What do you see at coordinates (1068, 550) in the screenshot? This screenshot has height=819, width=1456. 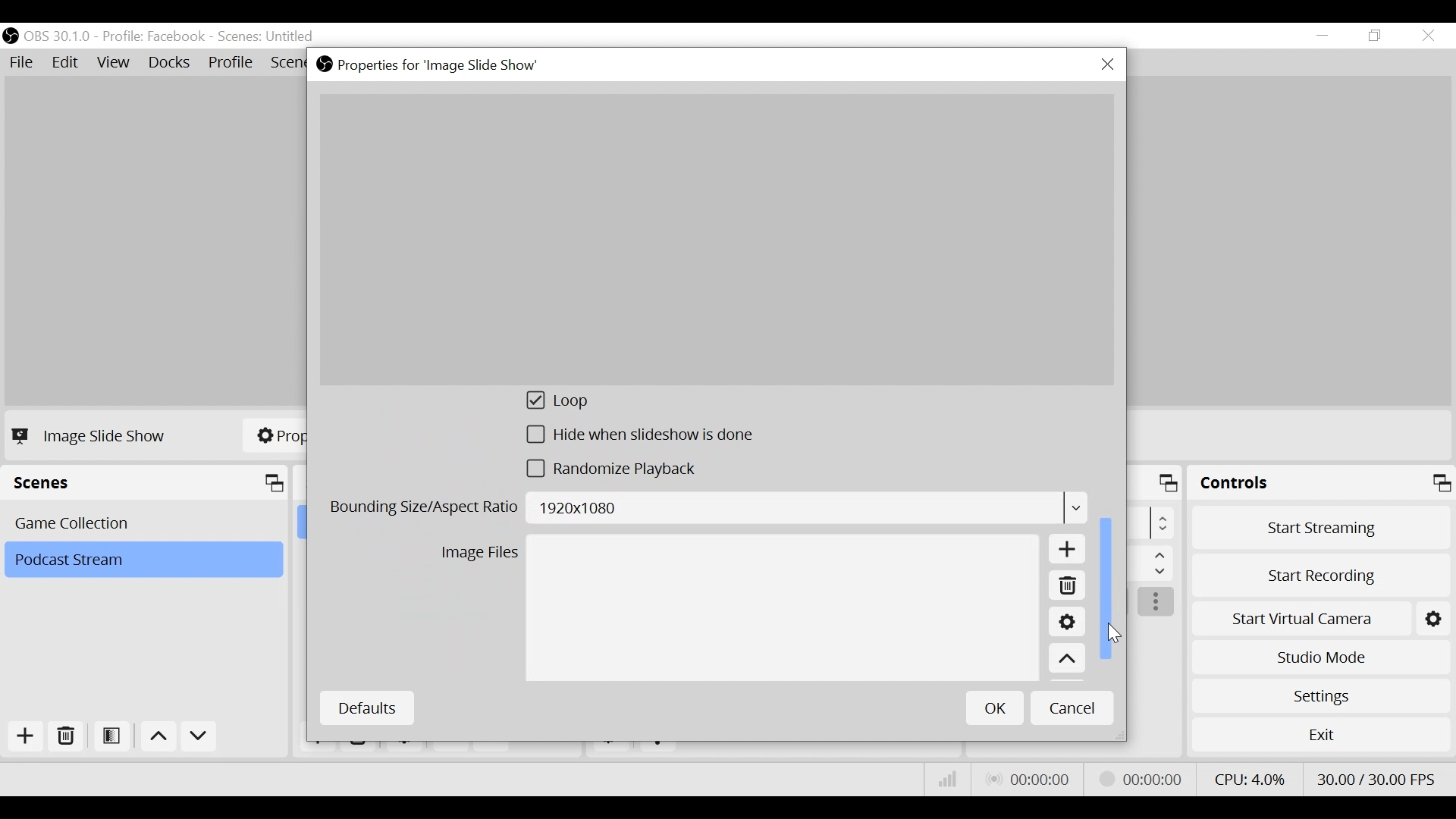 I see `Add` at bounding box center [1068, 550].